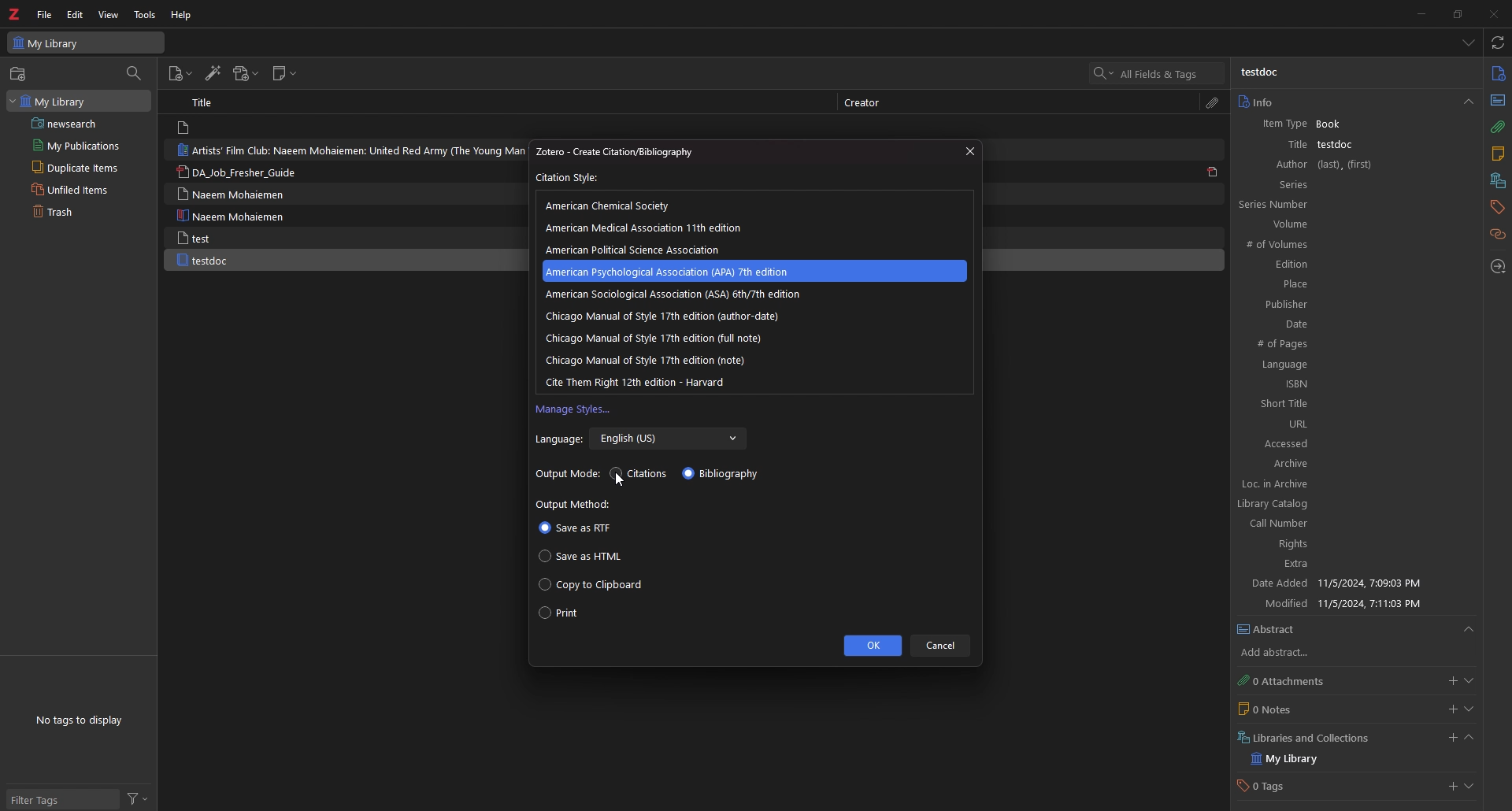 This screenshot has height=811, width=1512. I want to click on duplicate items, so click(72, 167).